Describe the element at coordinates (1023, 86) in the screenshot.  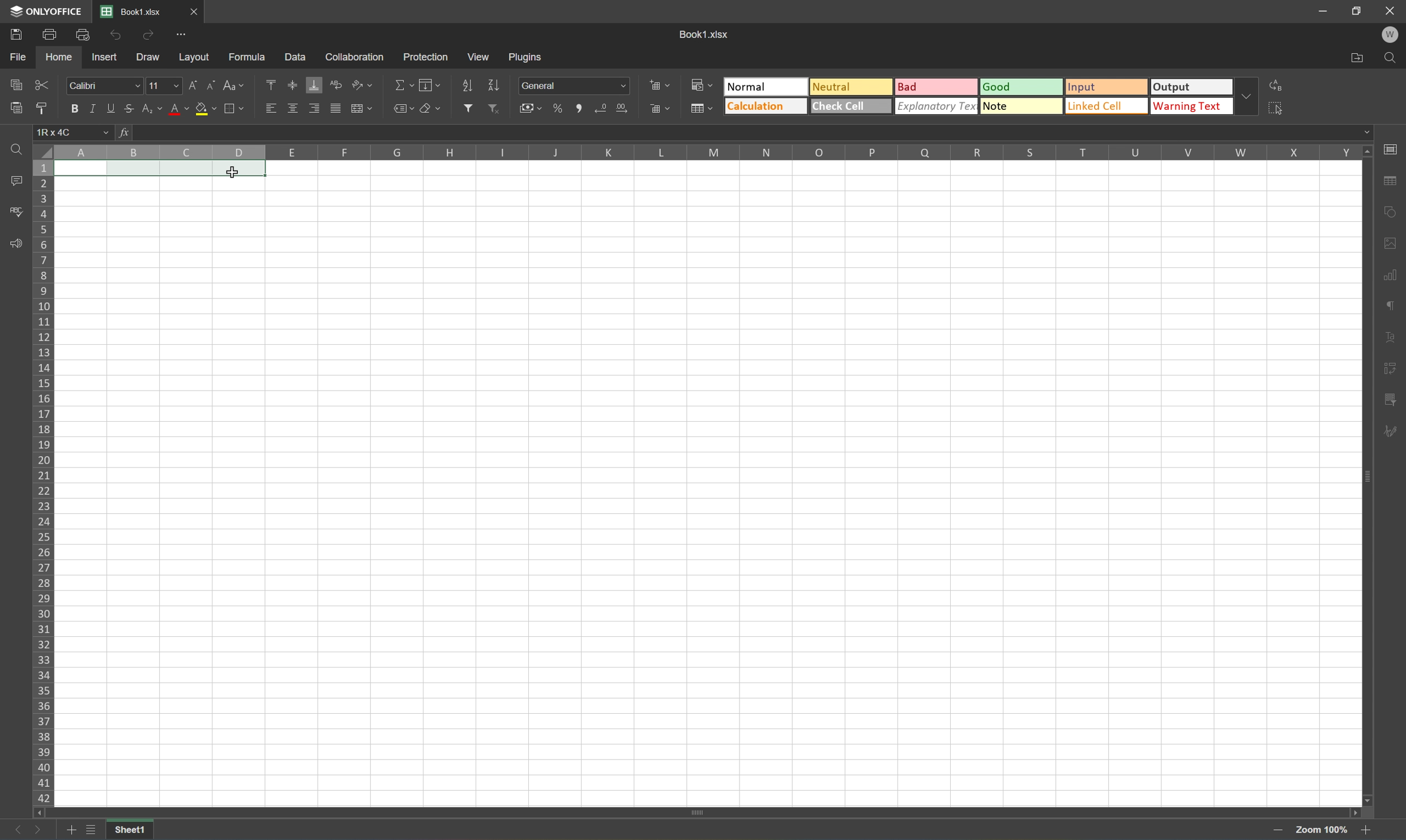
I see `Good` at that location.